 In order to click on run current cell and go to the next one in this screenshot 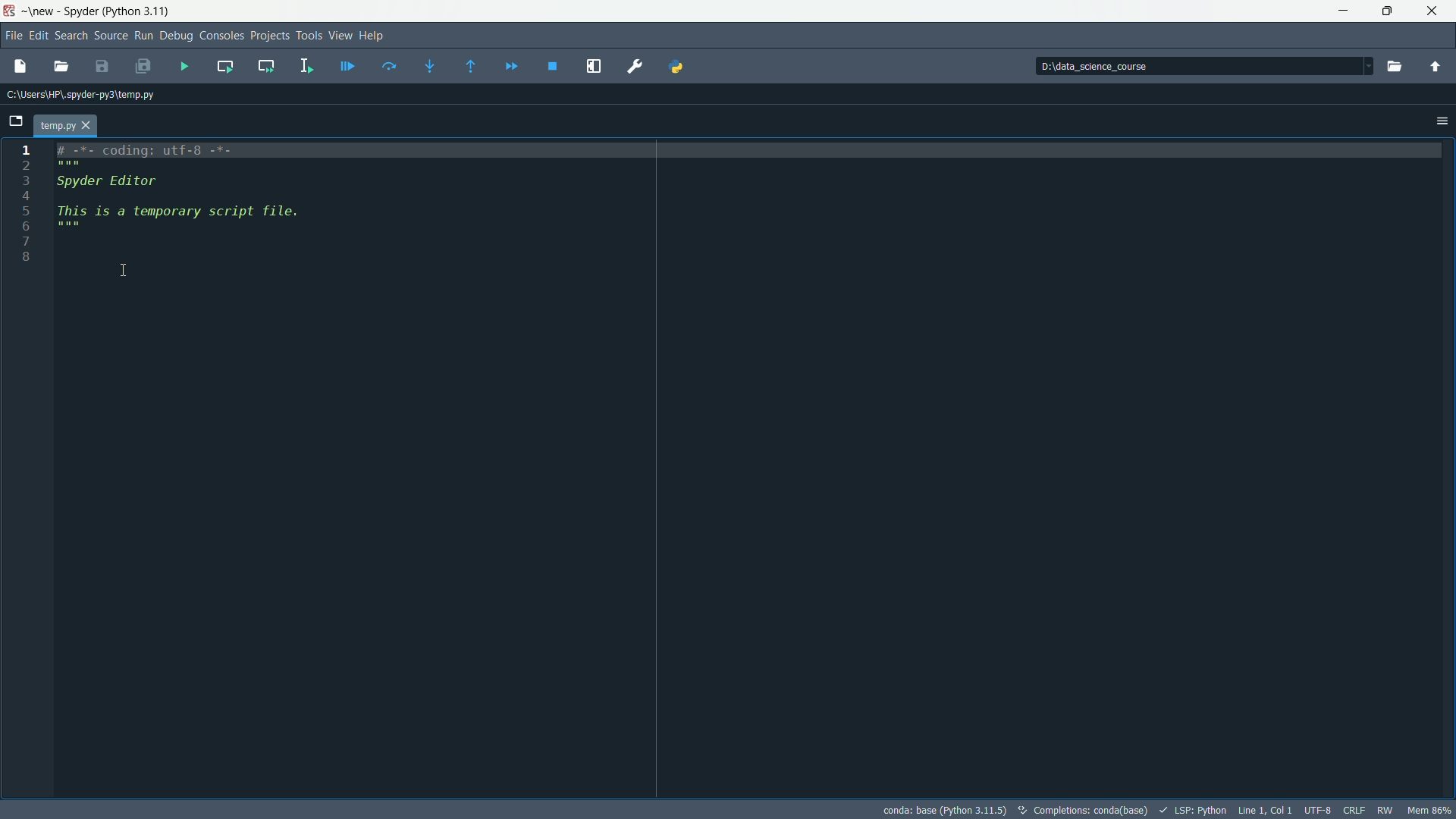, I will do `click(267, 67)`.